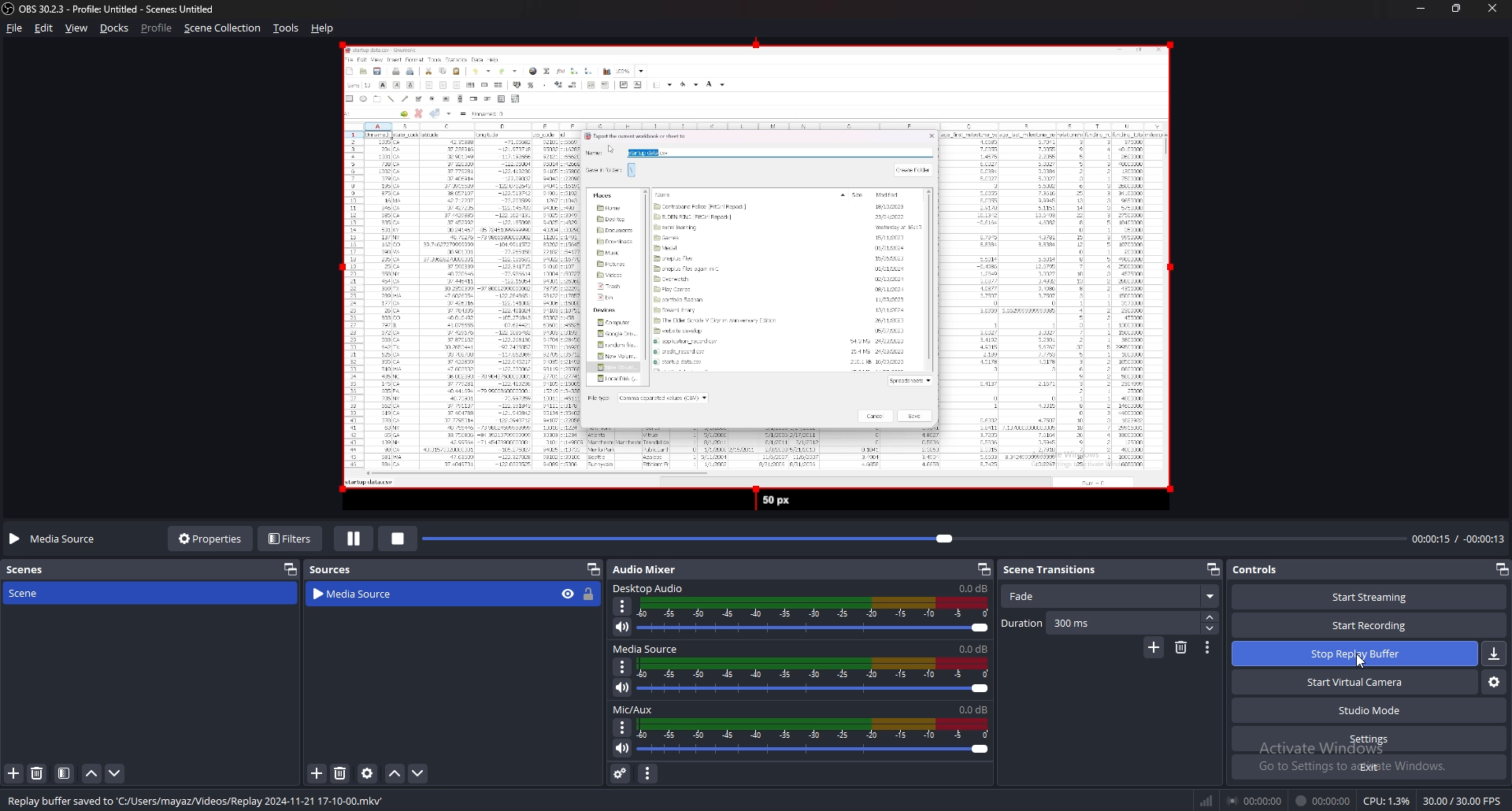 Image resolution: width=1512 pixels, height=811 pixels. Describe the element at coordinates (285, 28) in the screenshot. I see `tools` at that location.